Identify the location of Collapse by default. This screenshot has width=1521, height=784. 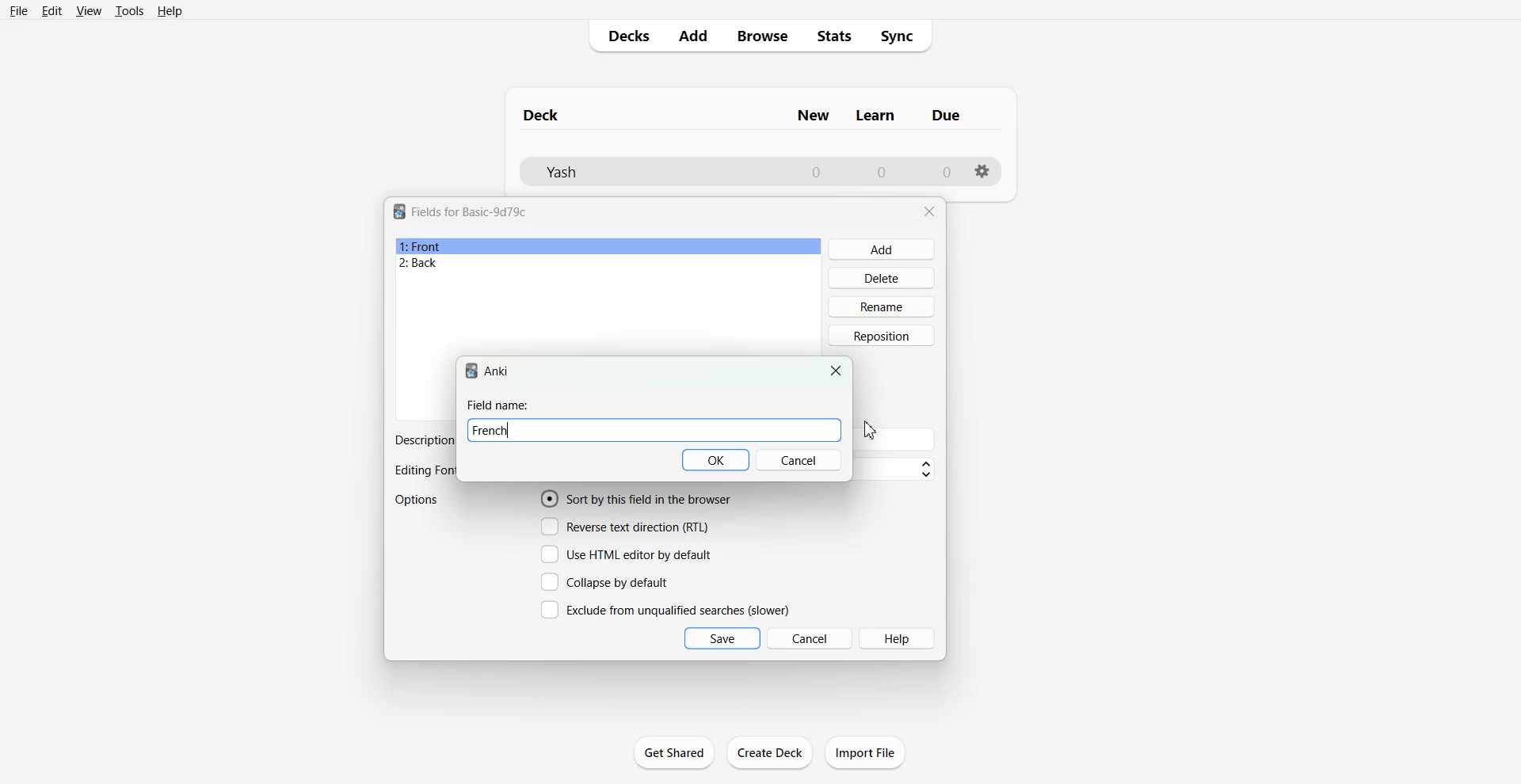
(608, 581).